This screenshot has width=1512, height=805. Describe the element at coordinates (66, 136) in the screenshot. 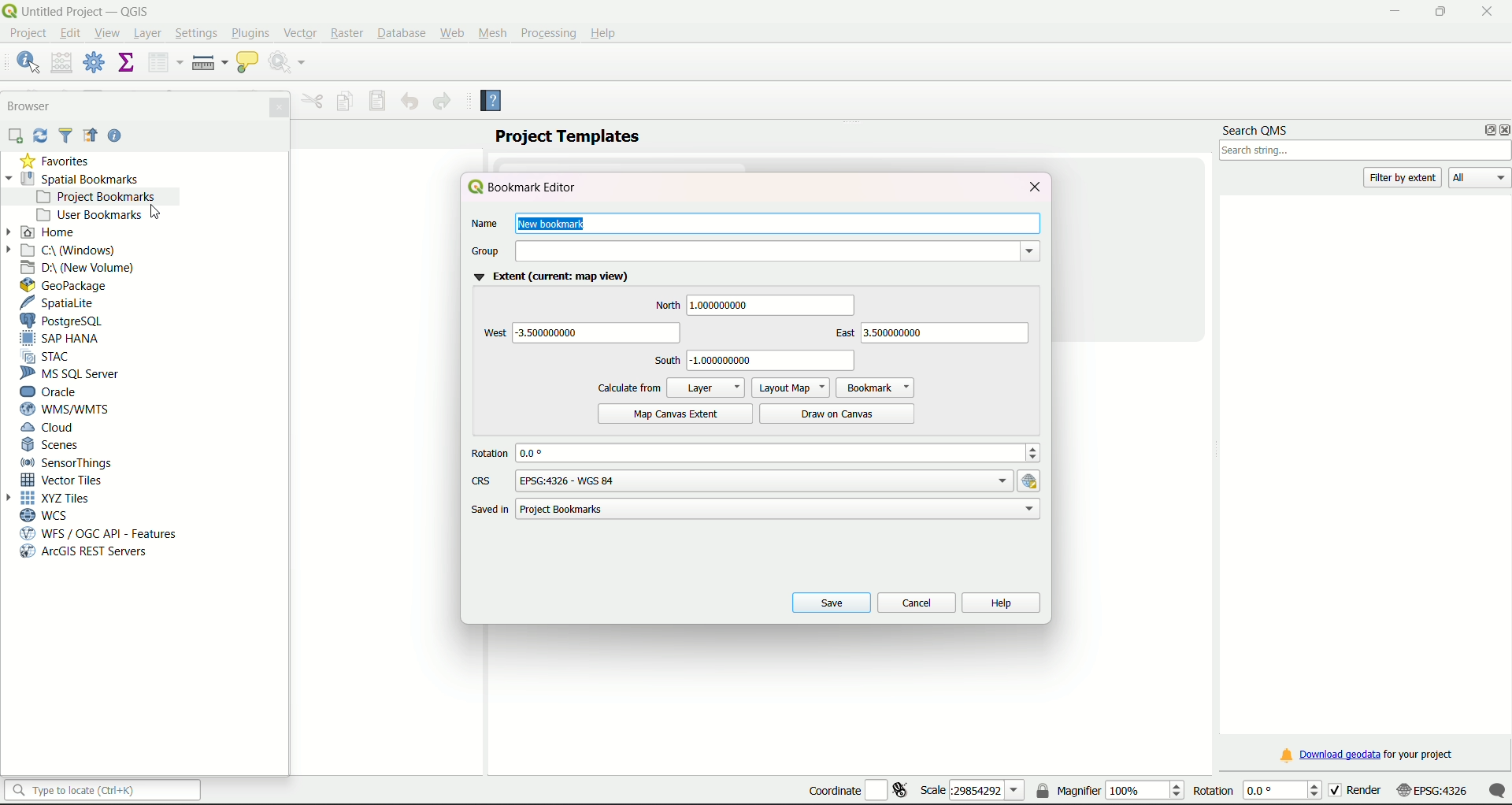

I see `Filter` at that location.